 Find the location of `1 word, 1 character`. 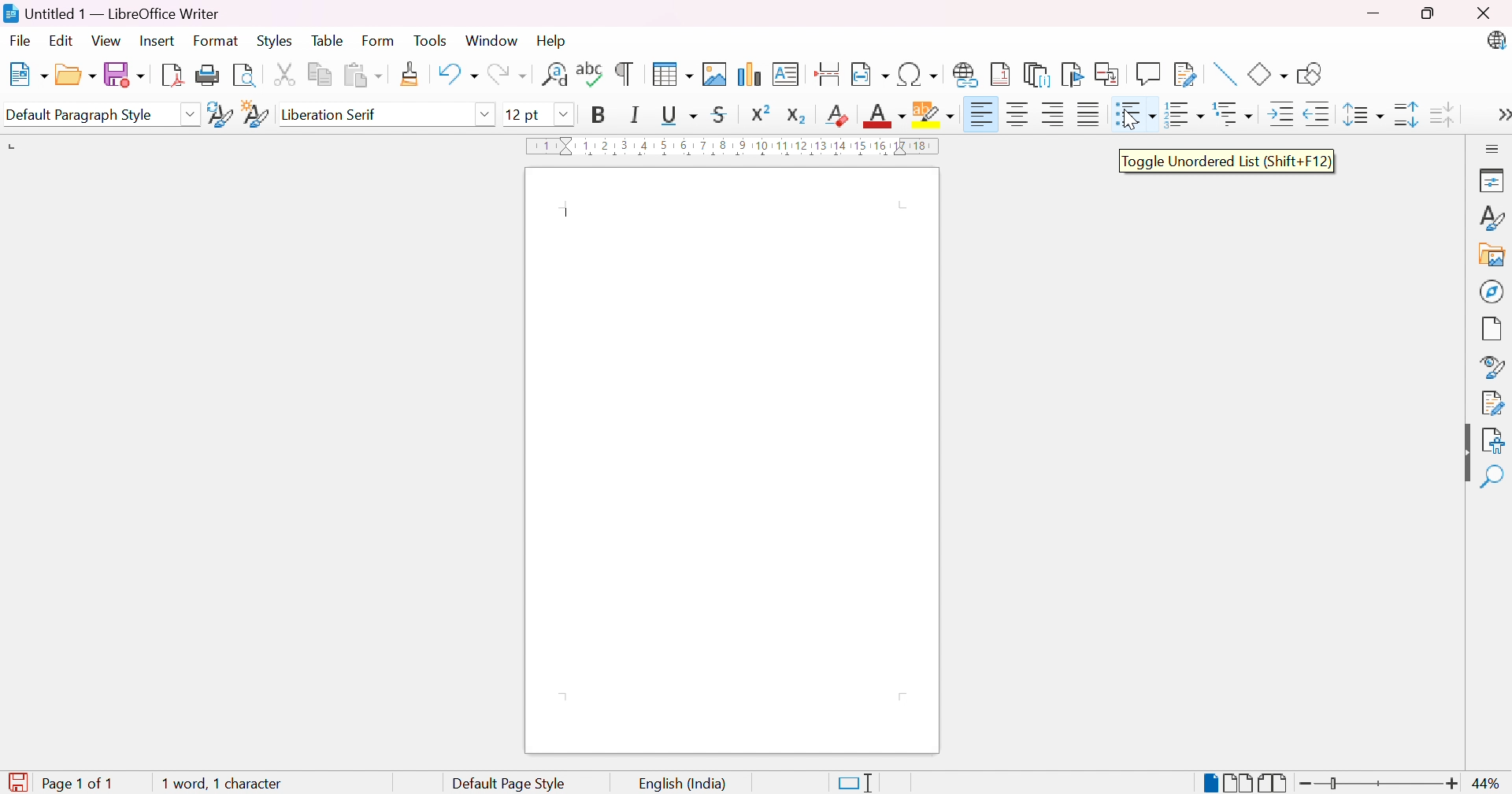

1 word, 1 character is located at coordinates (223, 785).